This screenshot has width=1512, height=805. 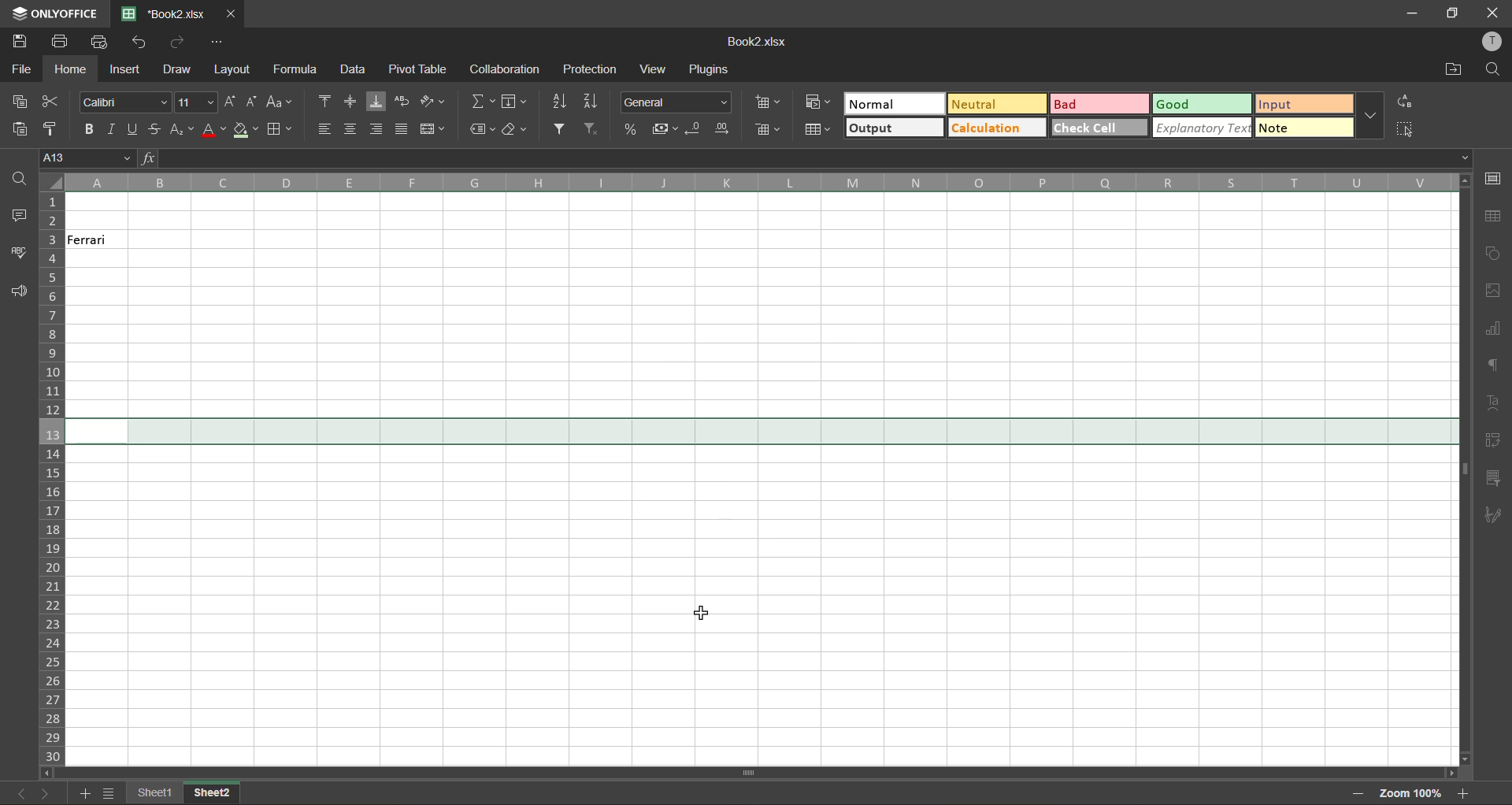 What do you see at coordinates (667, 131) in the screenshot?
I see `accounting` at bounding box center [667, 131].